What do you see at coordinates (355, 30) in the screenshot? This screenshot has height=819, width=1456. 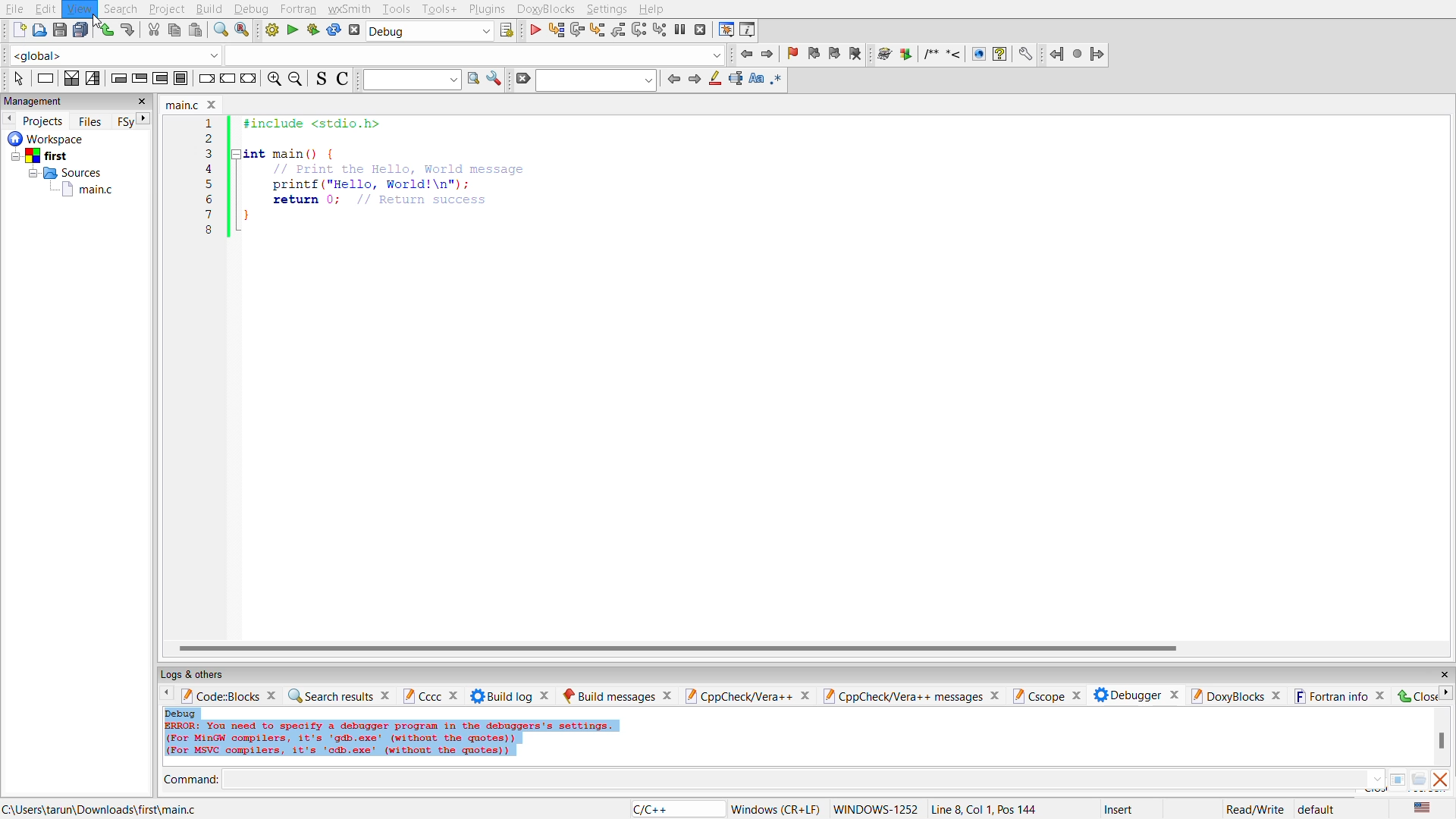 I see `abort` at bounding box center [355, 30].